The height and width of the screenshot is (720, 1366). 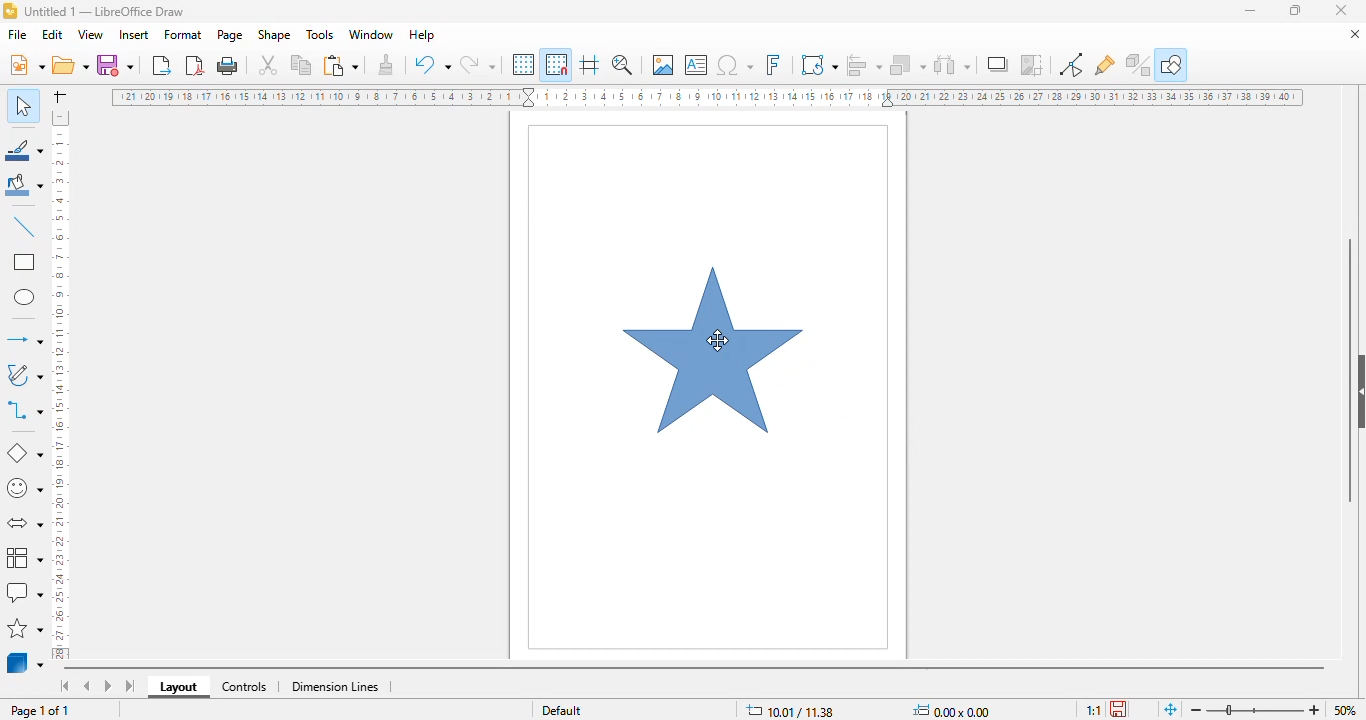 I want to click on cut, so click(x=267, y=64).